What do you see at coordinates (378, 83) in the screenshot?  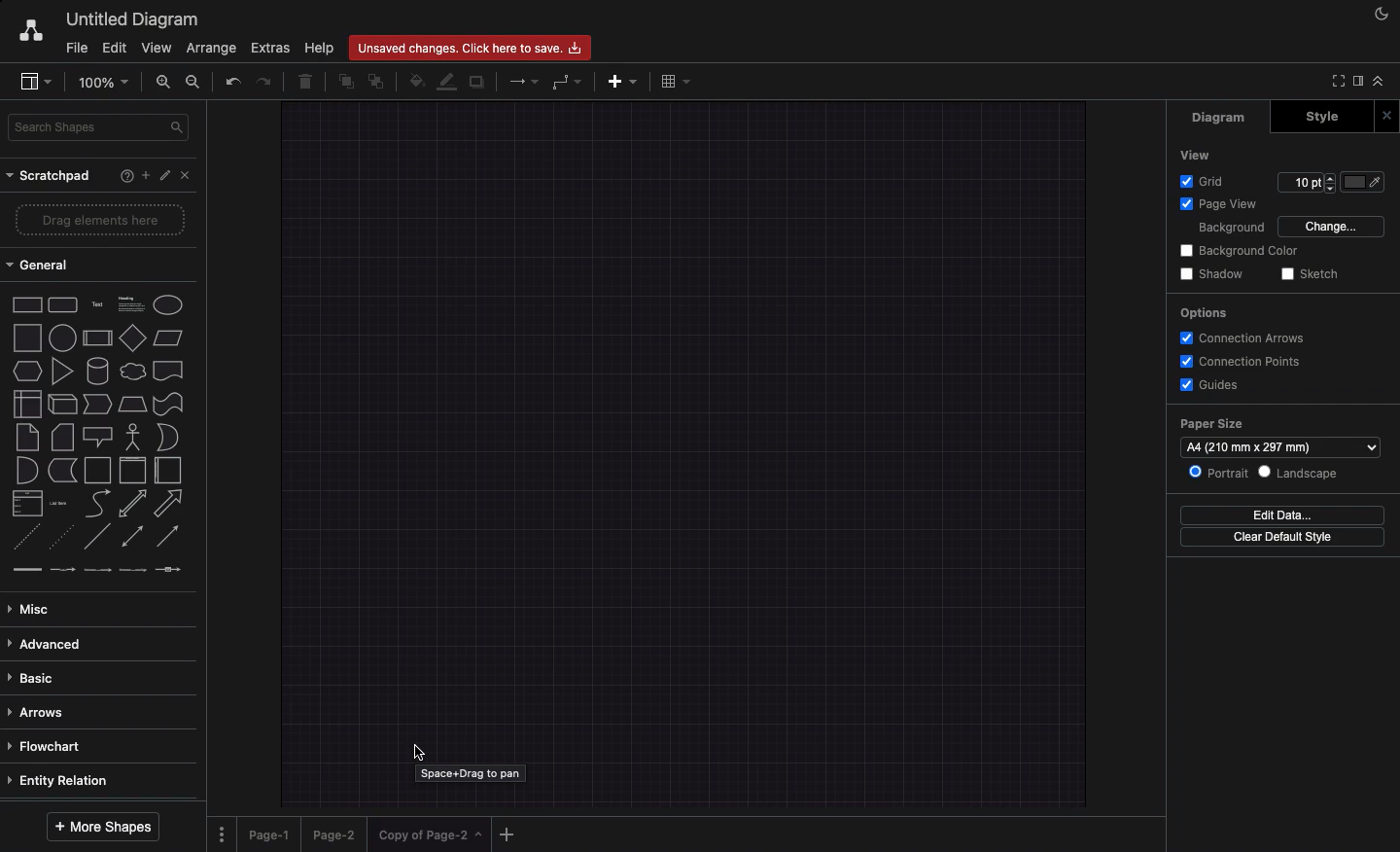 I see `To back` at bounding box center [378, 83].